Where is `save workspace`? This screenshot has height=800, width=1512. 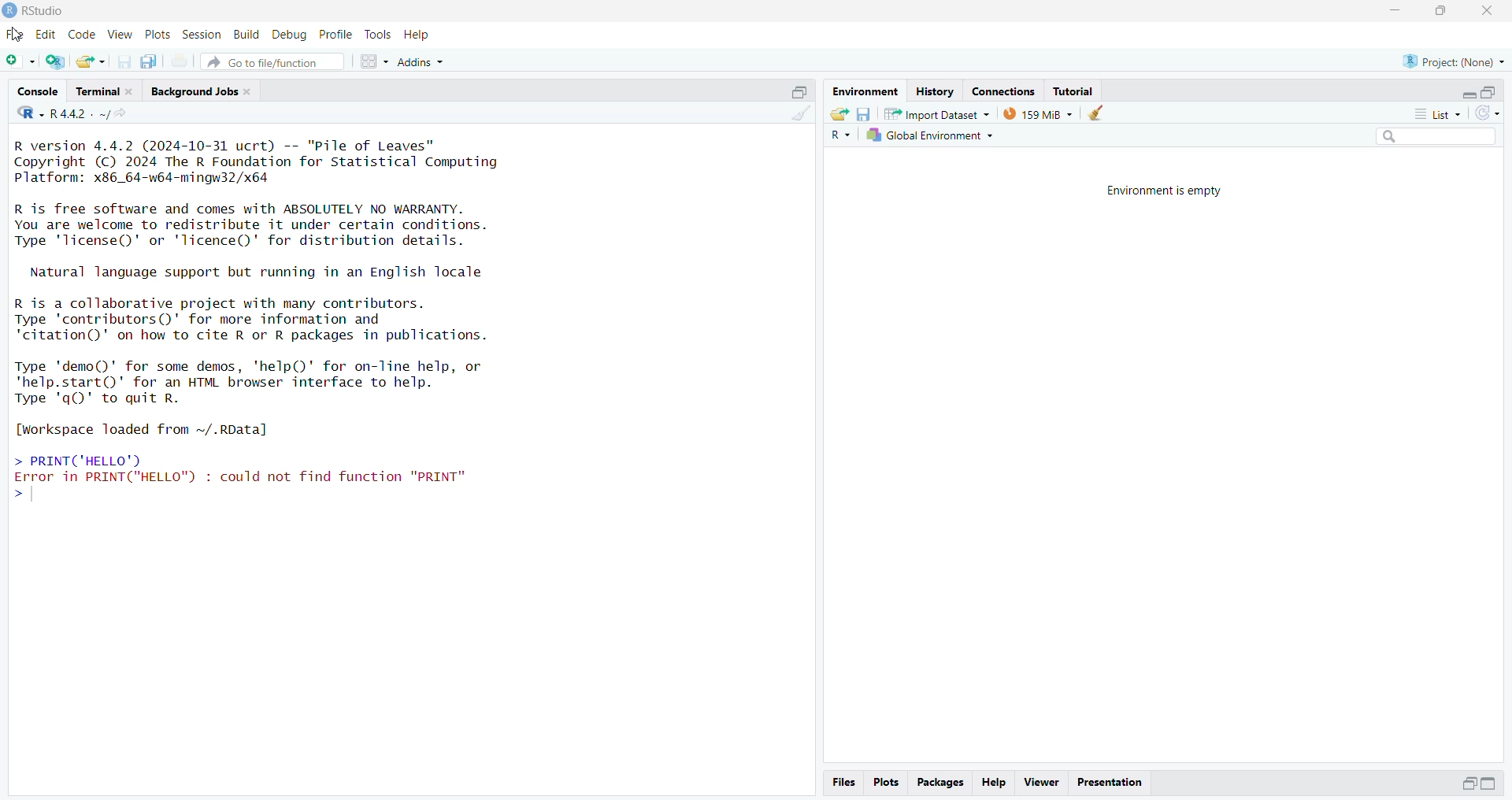
save workspace is located at coordinates (864, 113).